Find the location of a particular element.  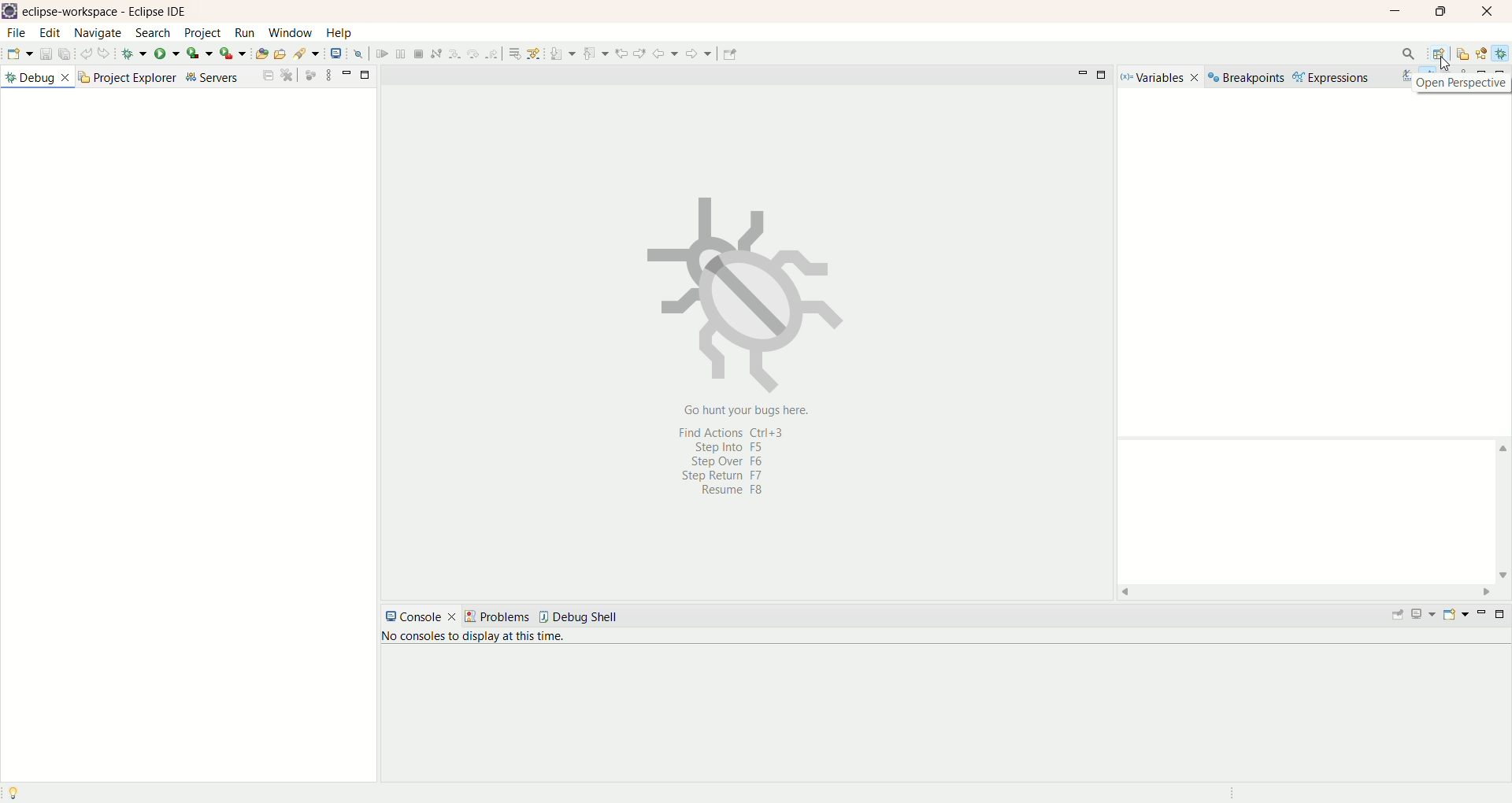

Tip of the day is located at coordinates (18, 792).